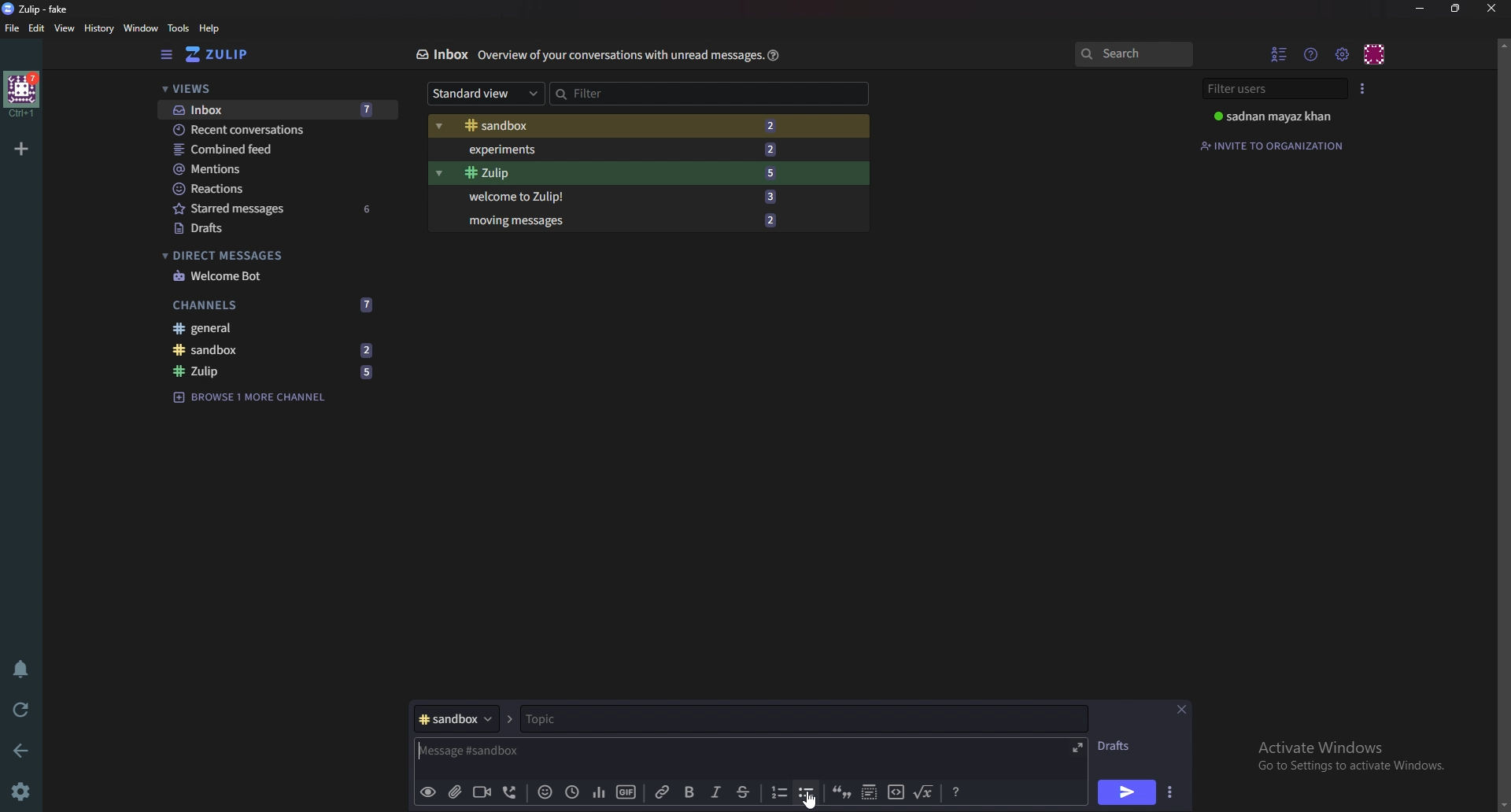 The width and height of the screenshot is (1511, 812). Describe the element at coordinates (1376, 54) in the screenshot. I see `personal menu` at that location.